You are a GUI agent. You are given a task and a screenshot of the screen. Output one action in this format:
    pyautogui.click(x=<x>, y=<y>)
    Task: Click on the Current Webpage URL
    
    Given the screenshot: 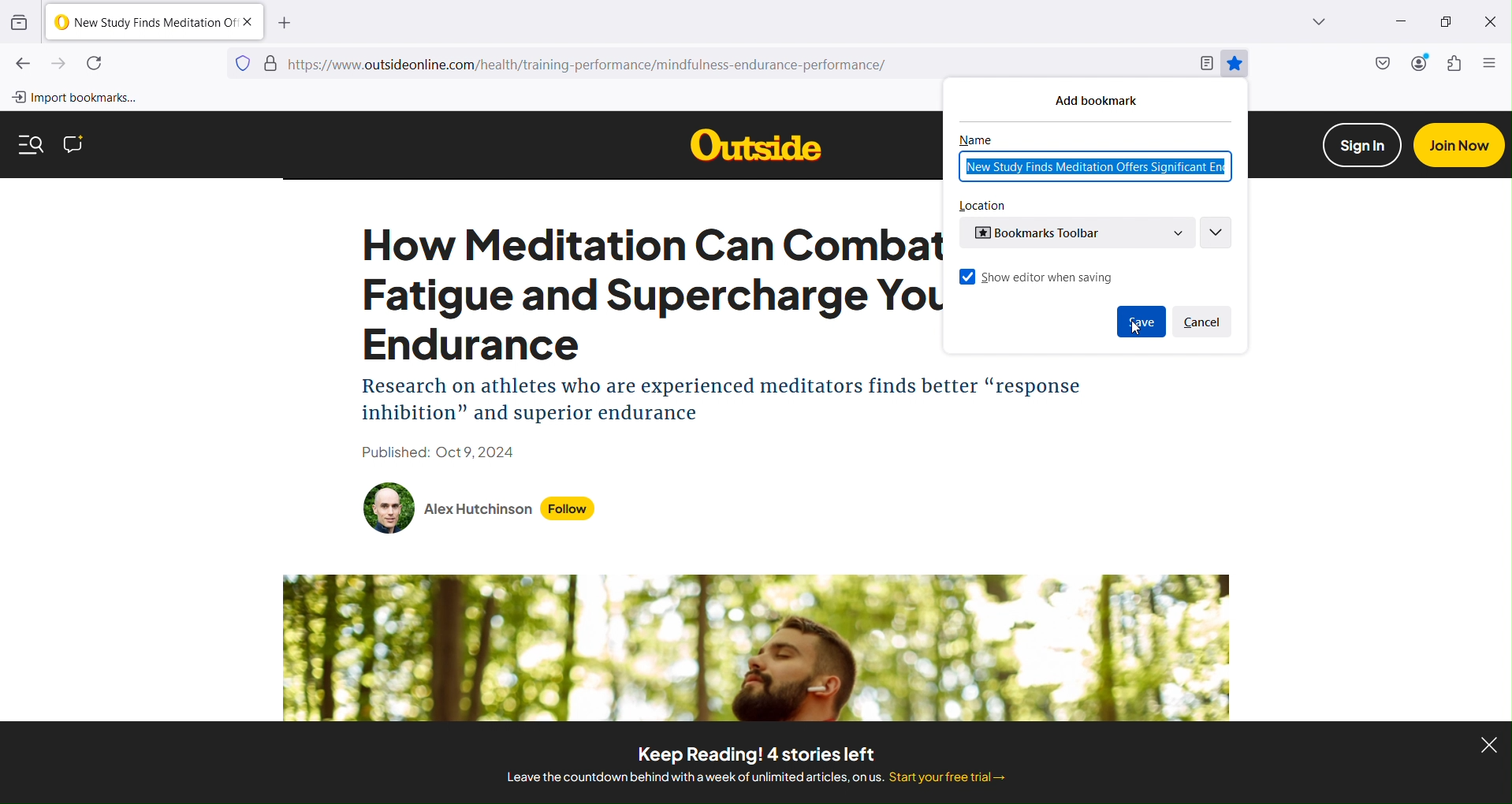 What is the action you would take?
    pyautogui.click(x=736, y=64)
    